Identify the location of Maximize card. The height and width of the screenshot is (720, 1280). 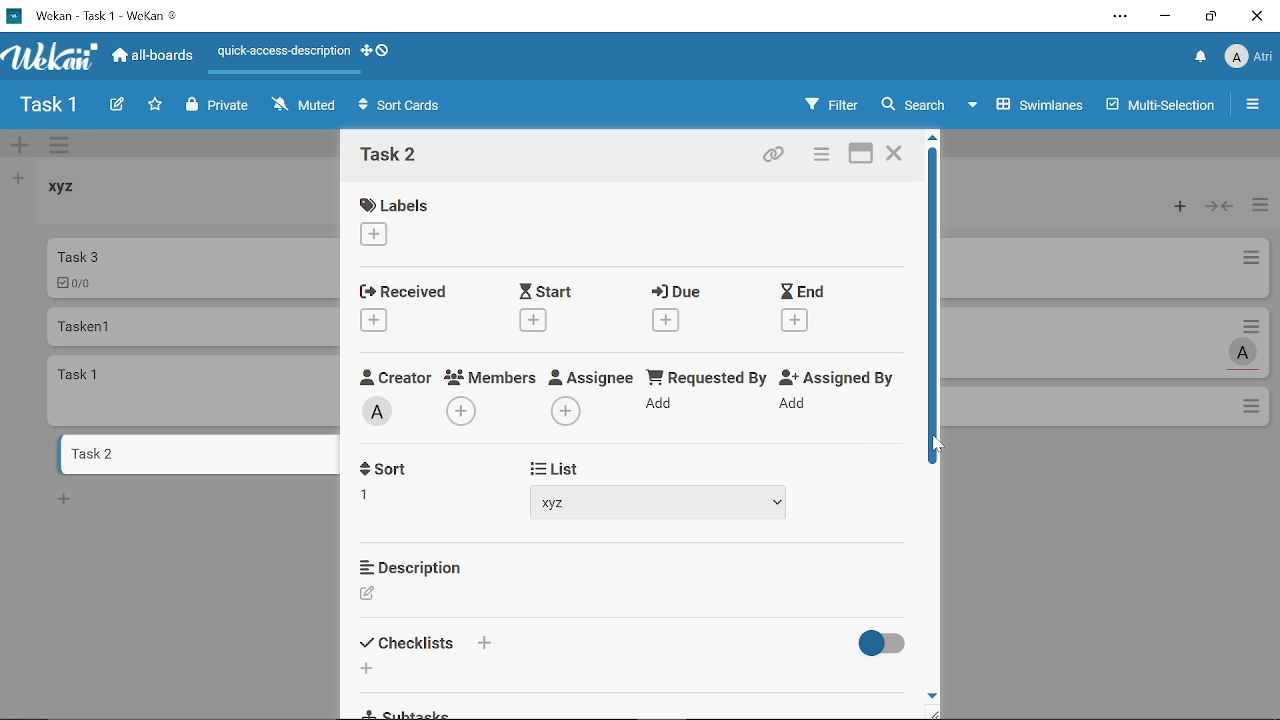
(861, 156).